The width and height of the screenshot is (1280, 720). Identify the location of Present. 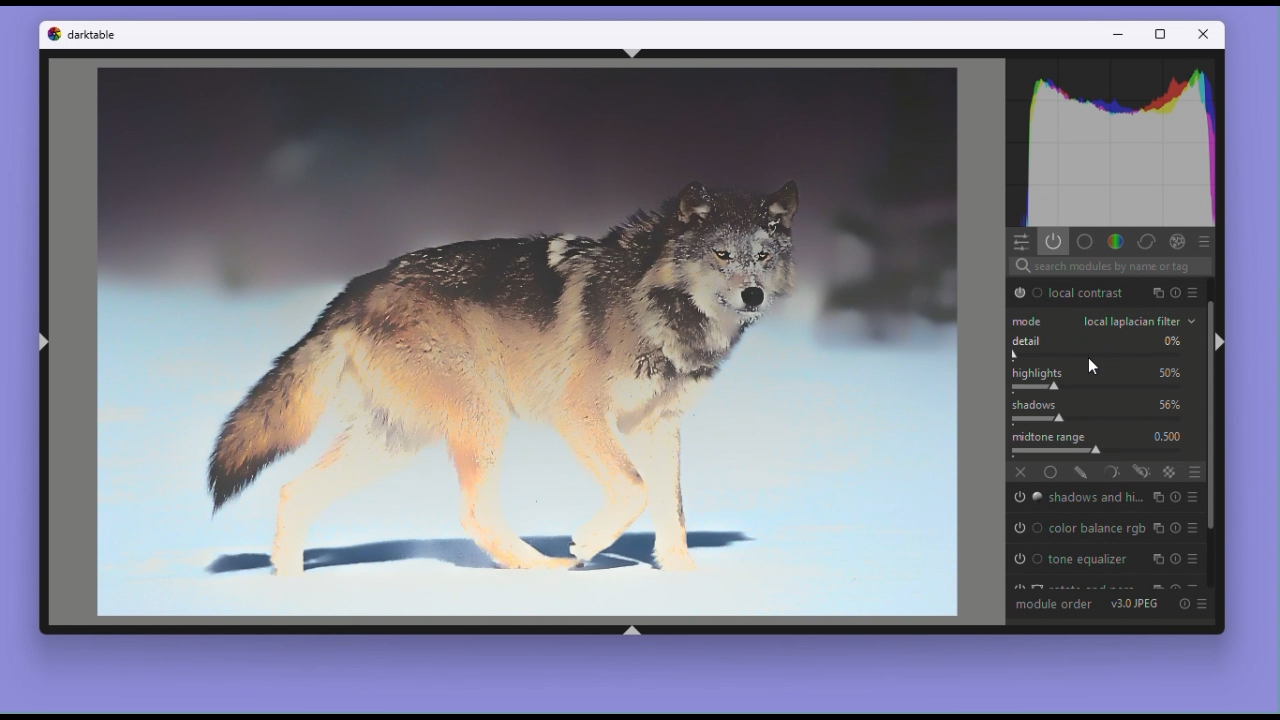
(1201, 601).